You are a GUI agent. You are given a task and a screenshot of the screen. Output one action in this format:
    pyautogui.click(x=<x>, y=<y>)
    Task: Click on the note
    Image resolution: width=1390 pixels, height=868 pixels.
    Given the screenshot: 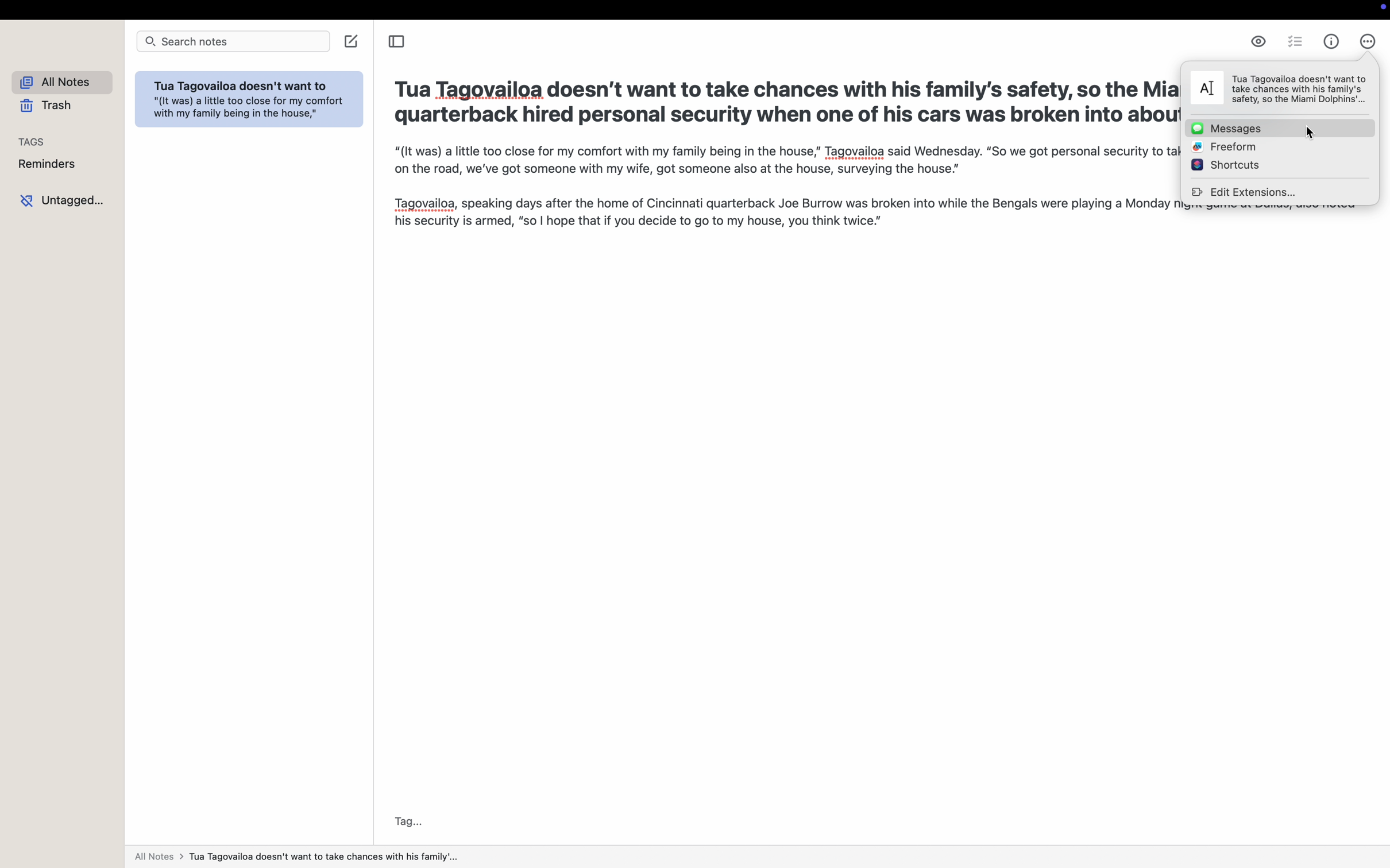 What is the action you would take?
    pyautogui.click(x=1279, y=88)
    